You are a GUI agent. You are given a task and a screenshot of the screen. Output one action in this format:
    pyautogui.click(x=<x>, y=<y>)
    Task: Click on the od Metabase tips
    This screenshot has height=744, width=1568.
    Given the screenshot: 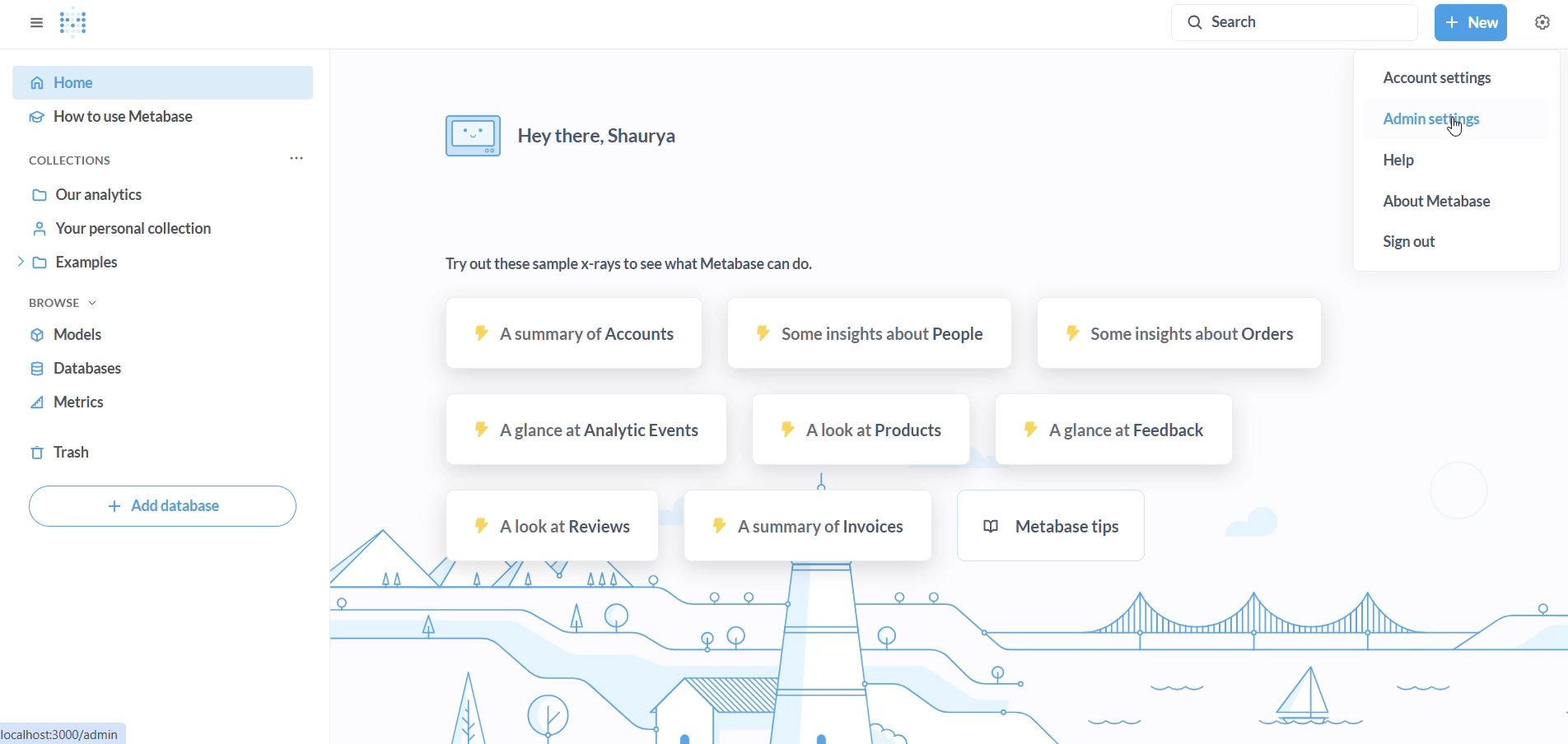 What is the action you would take?
    pyautogui.click(x=1058, y=523)
    